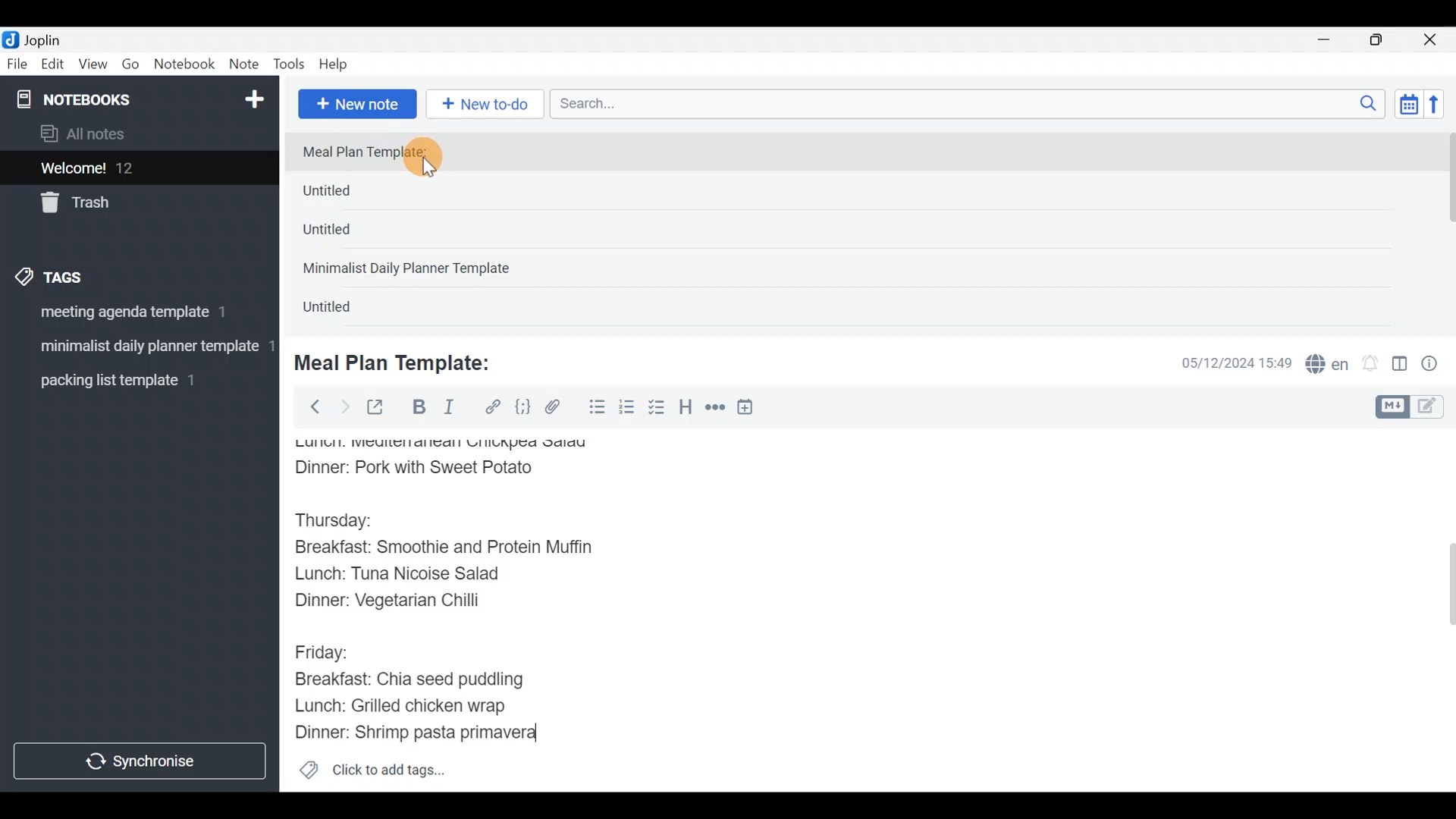 This screenshot has width=1456, height=819. Describe the element at coordinates (1446, 229) in the screenshot. I see `scroll bar` at that location.